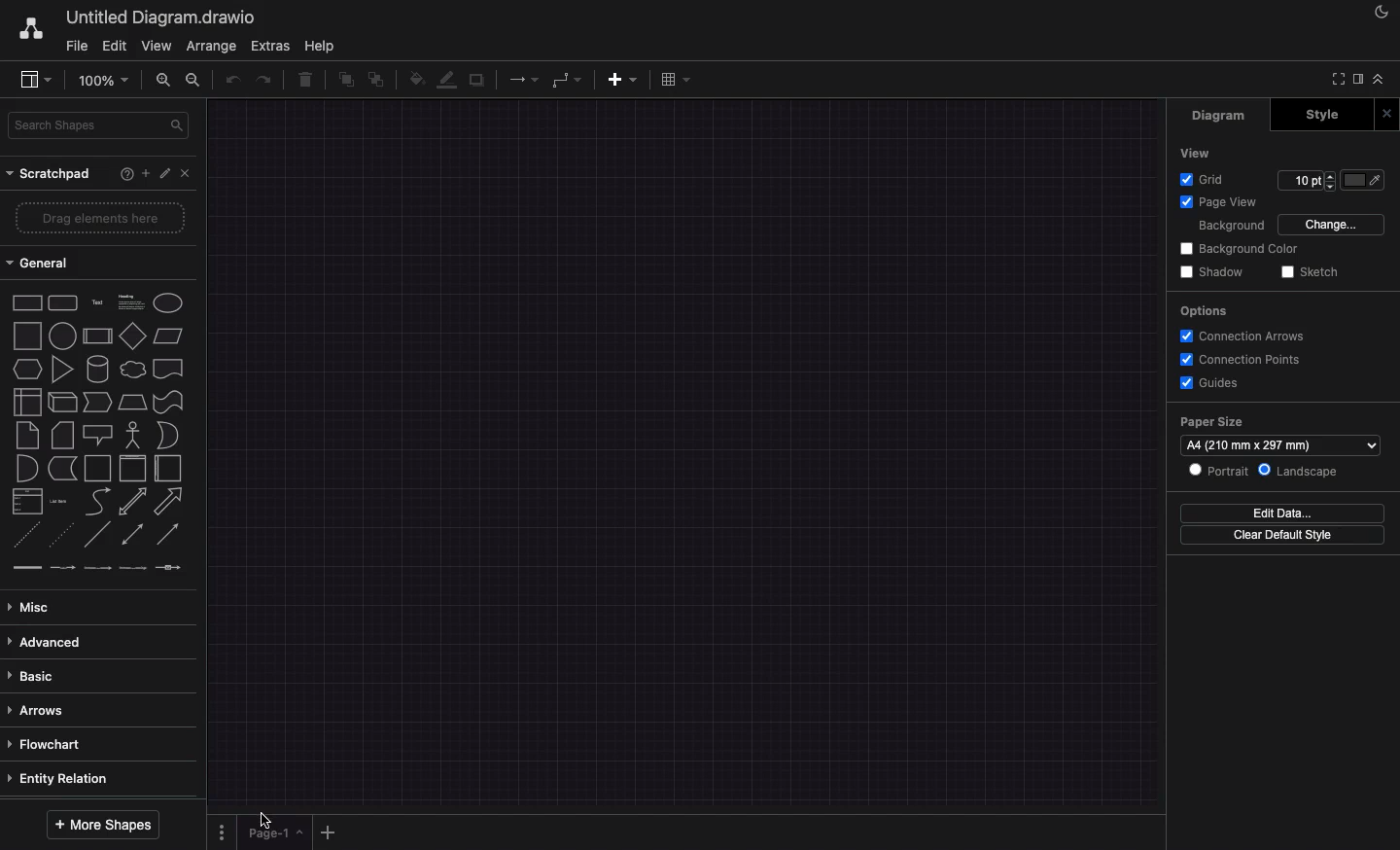 The height and width of the screenshot is (850, 1400). Describe the element at coordinates (26, 502) in the screenshot. I see `list` at that location.